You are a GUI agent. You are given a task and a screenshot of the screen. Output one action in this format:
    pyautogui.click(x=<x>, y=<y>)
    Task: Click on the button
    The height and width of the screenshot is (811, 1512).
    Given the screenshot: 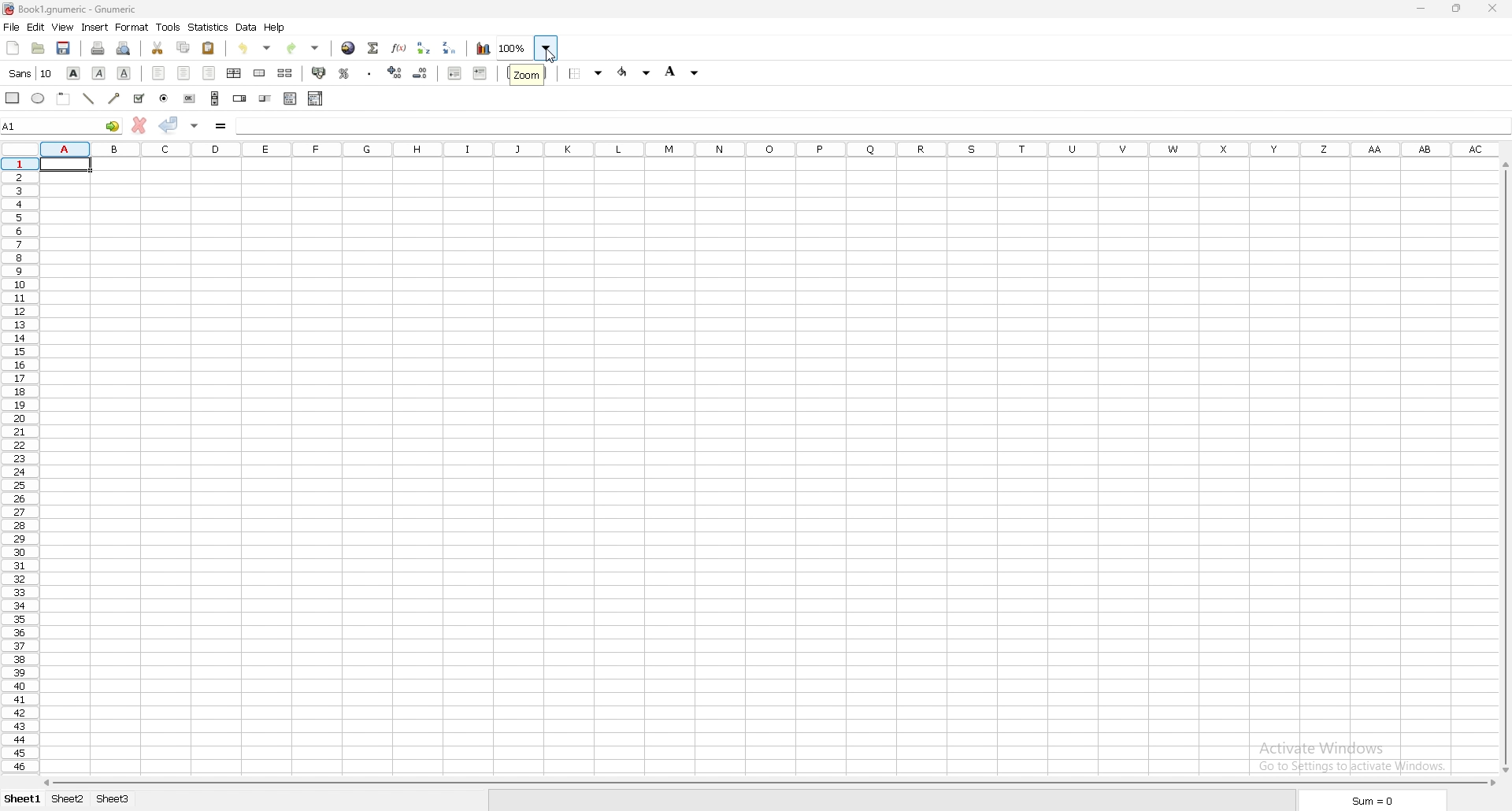 What is the action you would take?
    pyautogui.click(x=189, y=98)
    